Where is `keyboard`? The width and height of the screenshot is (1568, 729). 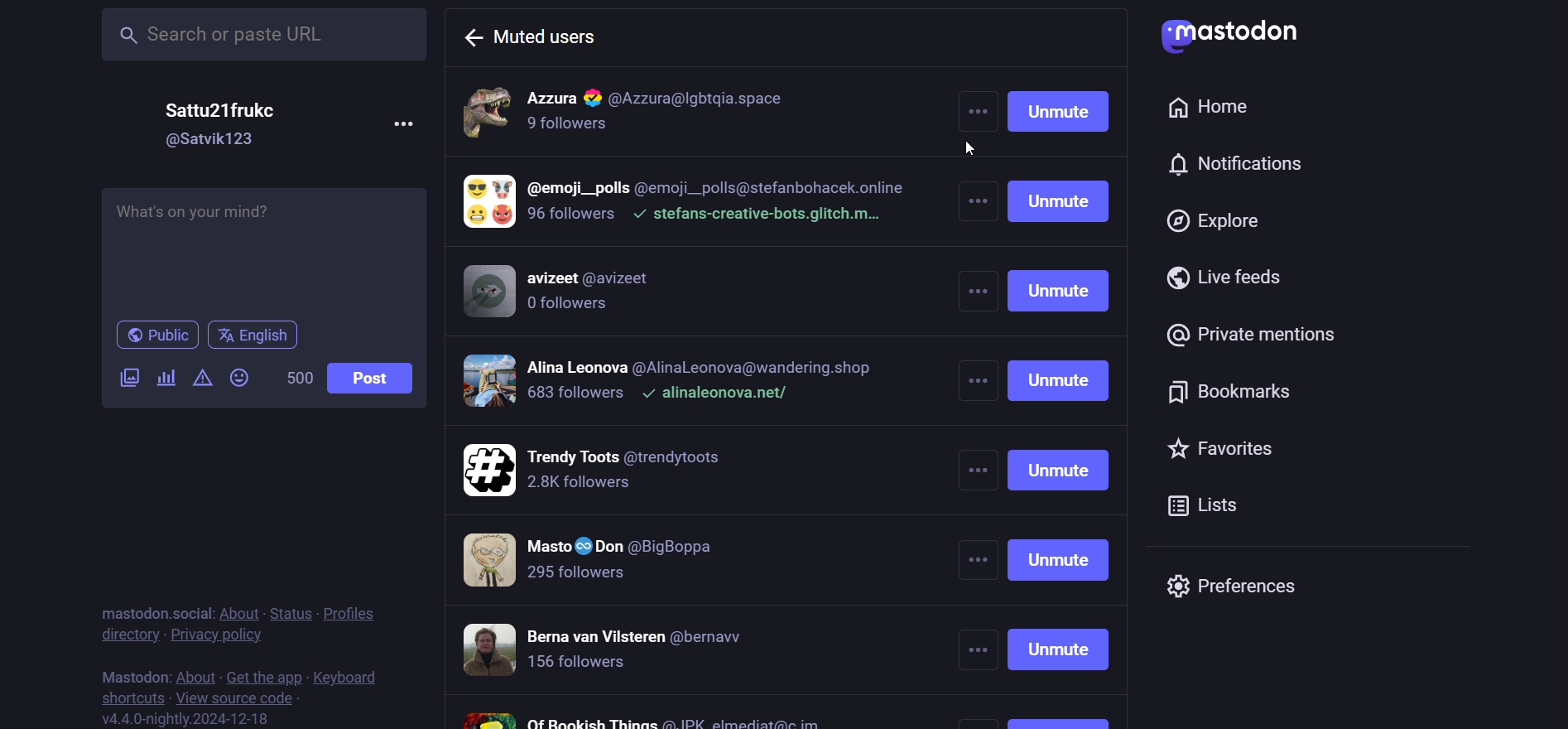
keyboard is located at coordinates (356, 677).